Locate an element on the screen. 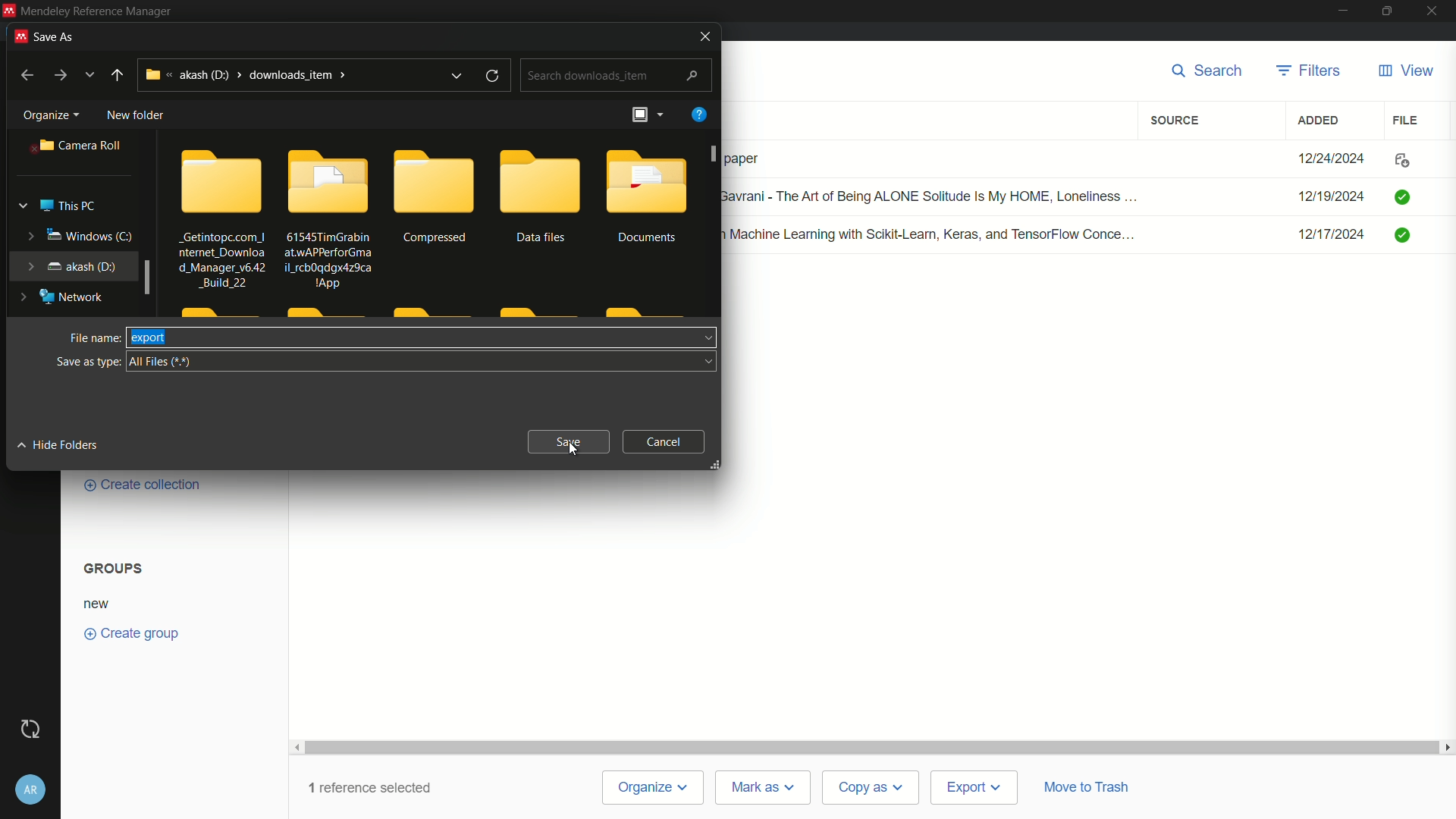  camera roll is located at coordinates (81, 146).